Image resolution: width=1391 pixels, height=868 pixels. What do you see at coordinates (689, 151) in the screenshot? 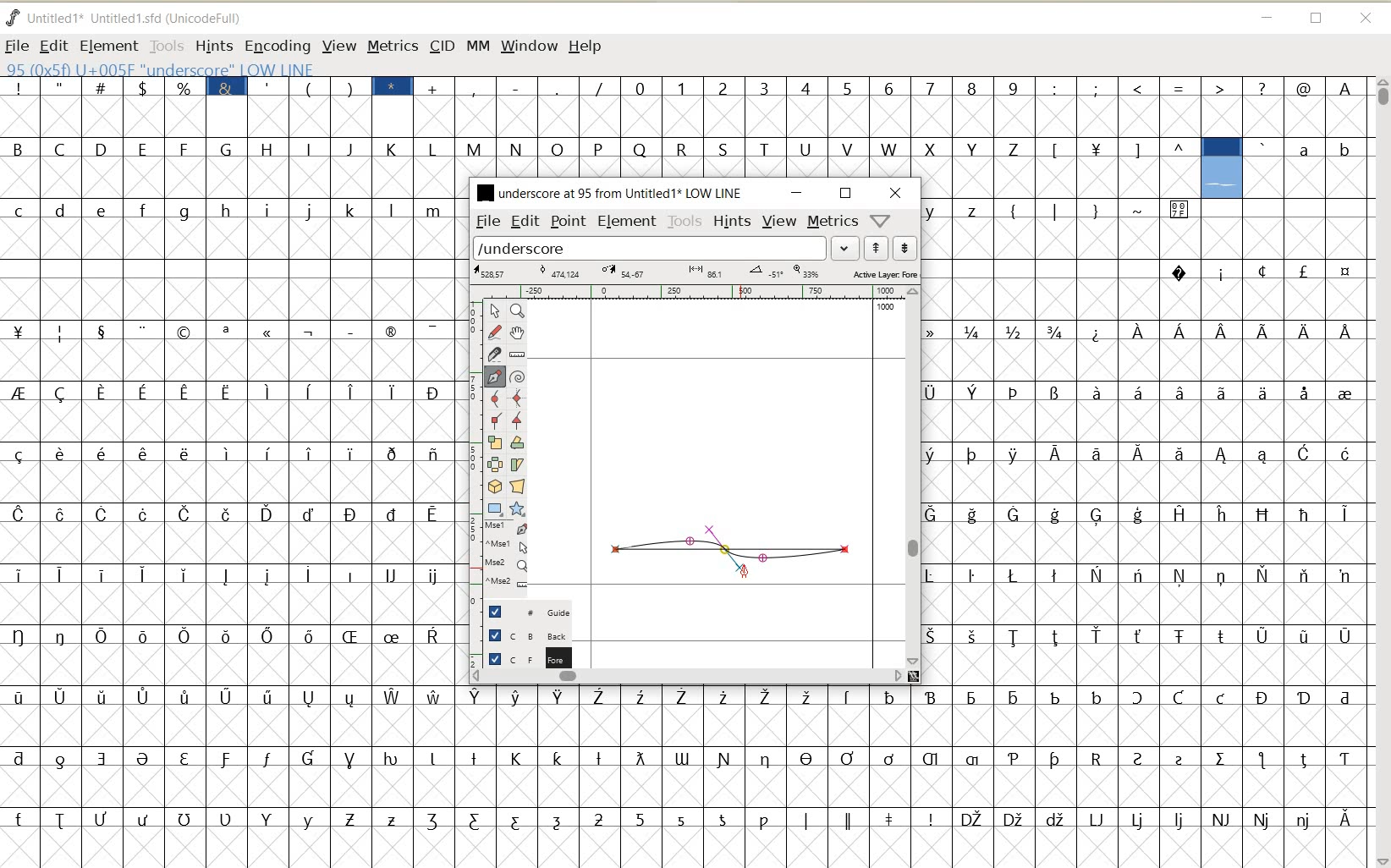
I see `GLYPHY CHARACTERS` at bounding box center [689, 151].